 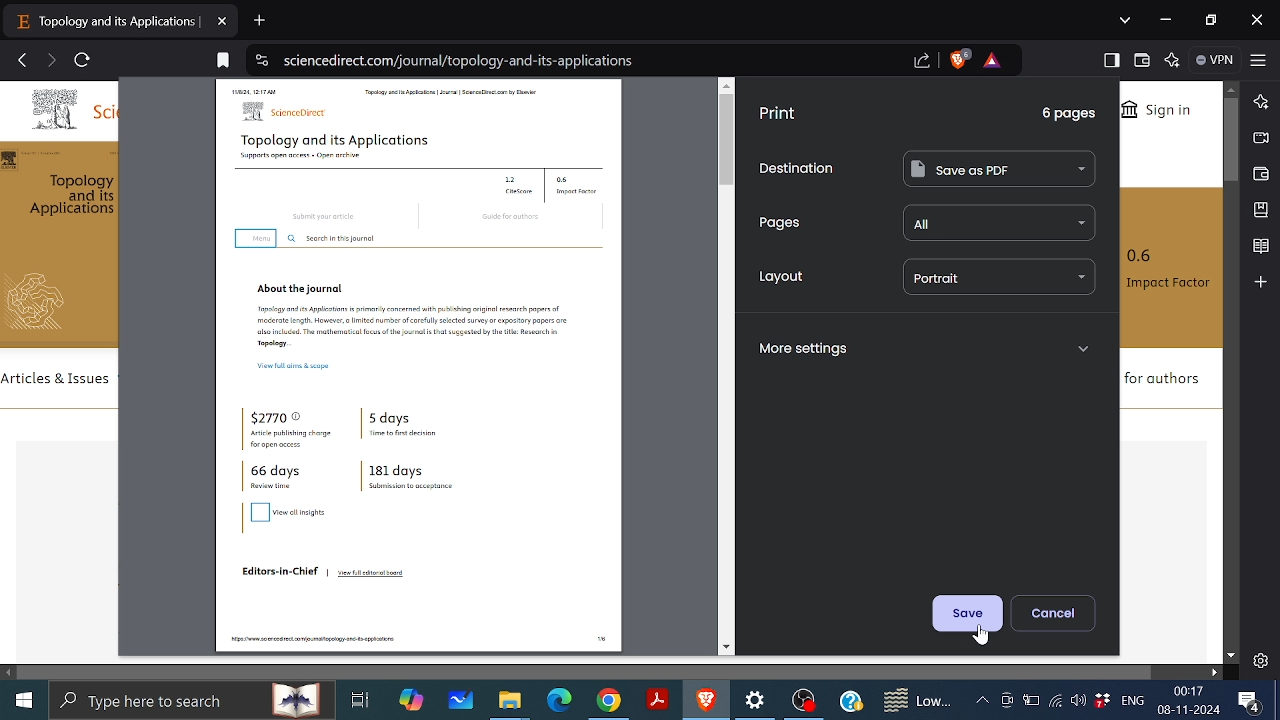 I want to click on Add new tab, so click(x=259, y=19).